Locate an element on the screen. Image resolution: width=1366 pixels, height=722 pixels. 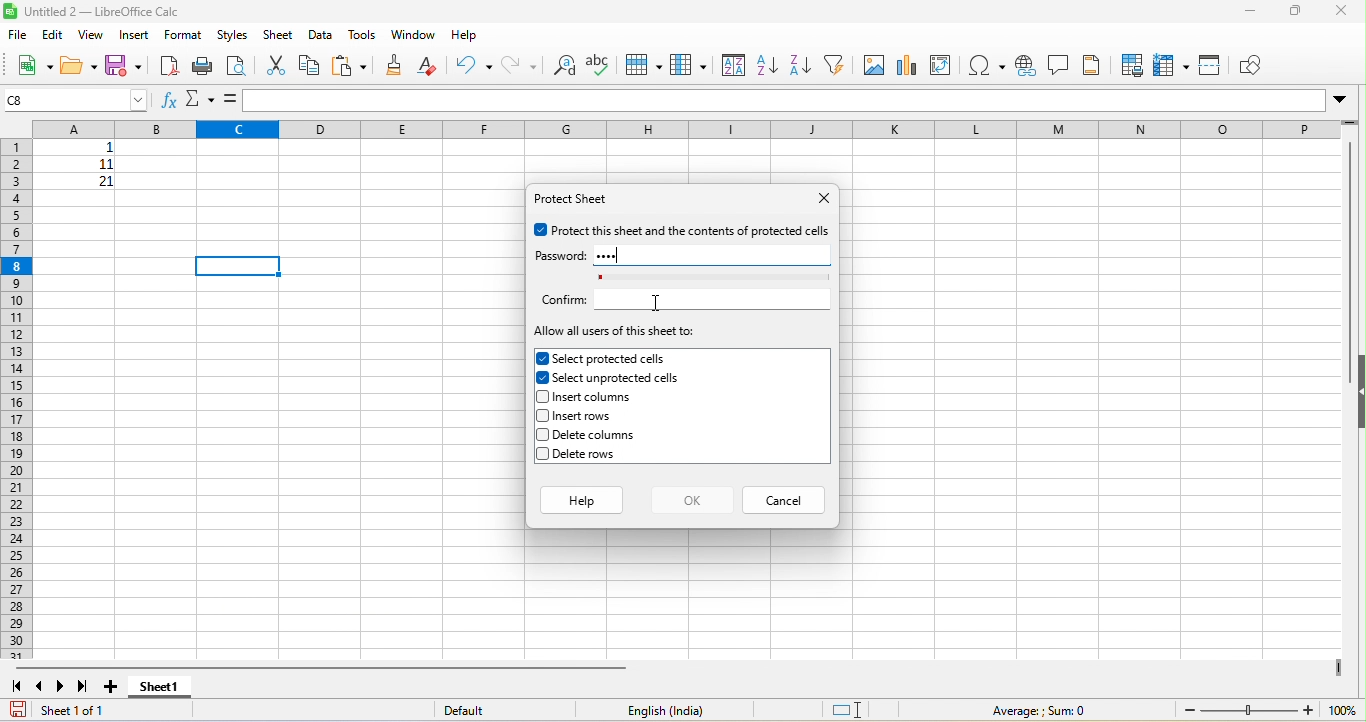
paste is located at coordinates (349, 66).